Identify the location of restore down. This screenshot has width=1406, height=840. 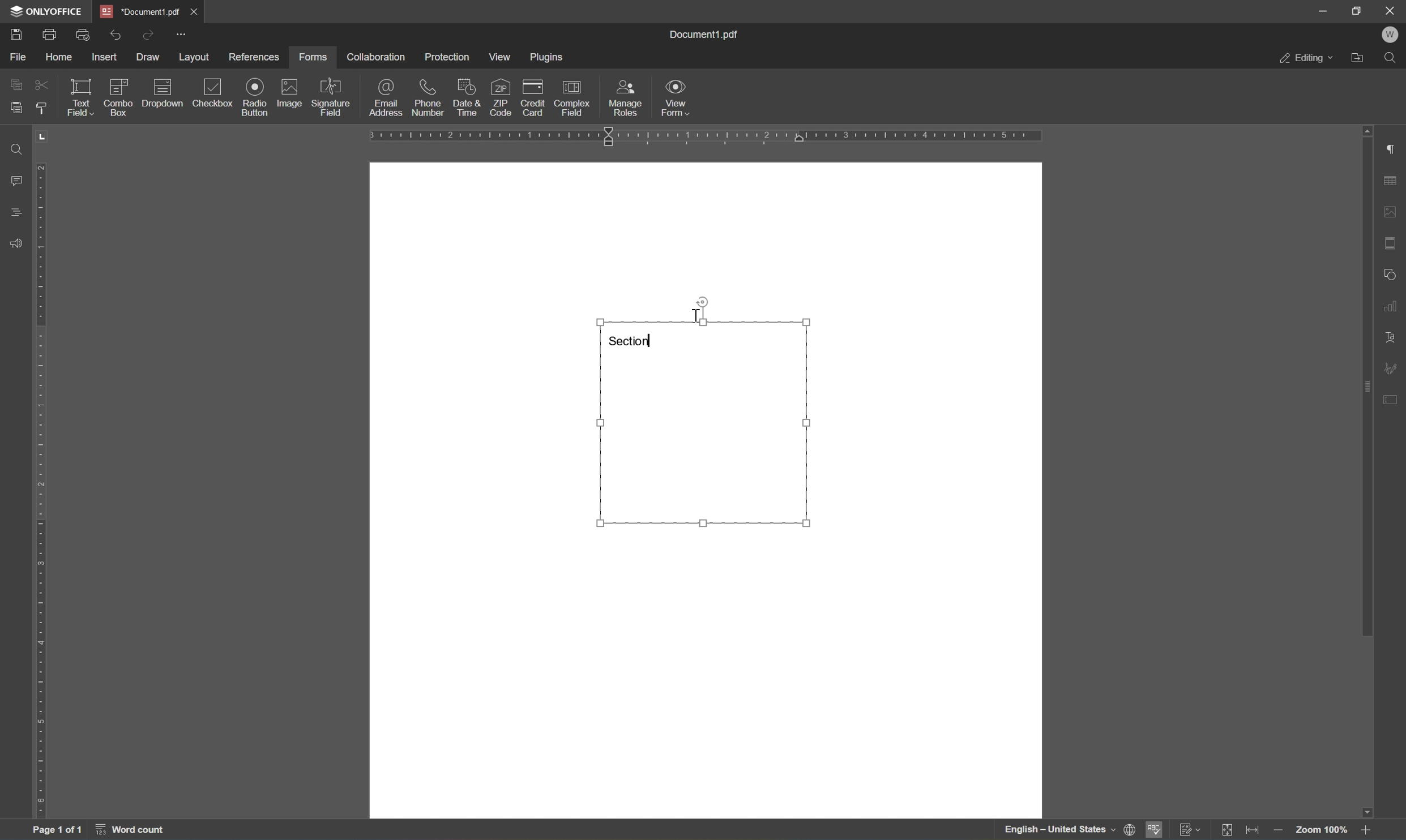
(1358, 11).